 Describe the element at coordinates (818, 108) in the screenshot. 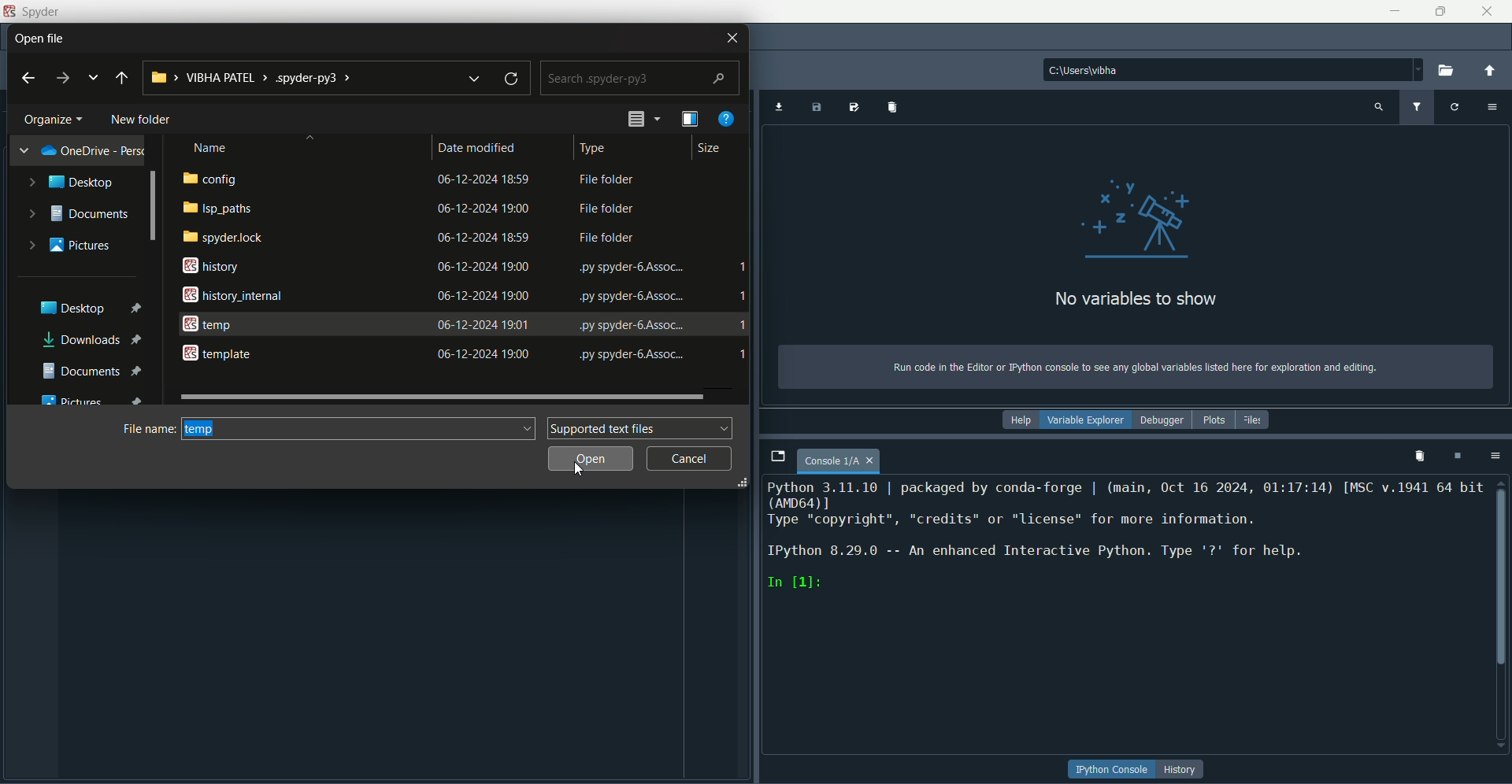

I see `save data` at that location.